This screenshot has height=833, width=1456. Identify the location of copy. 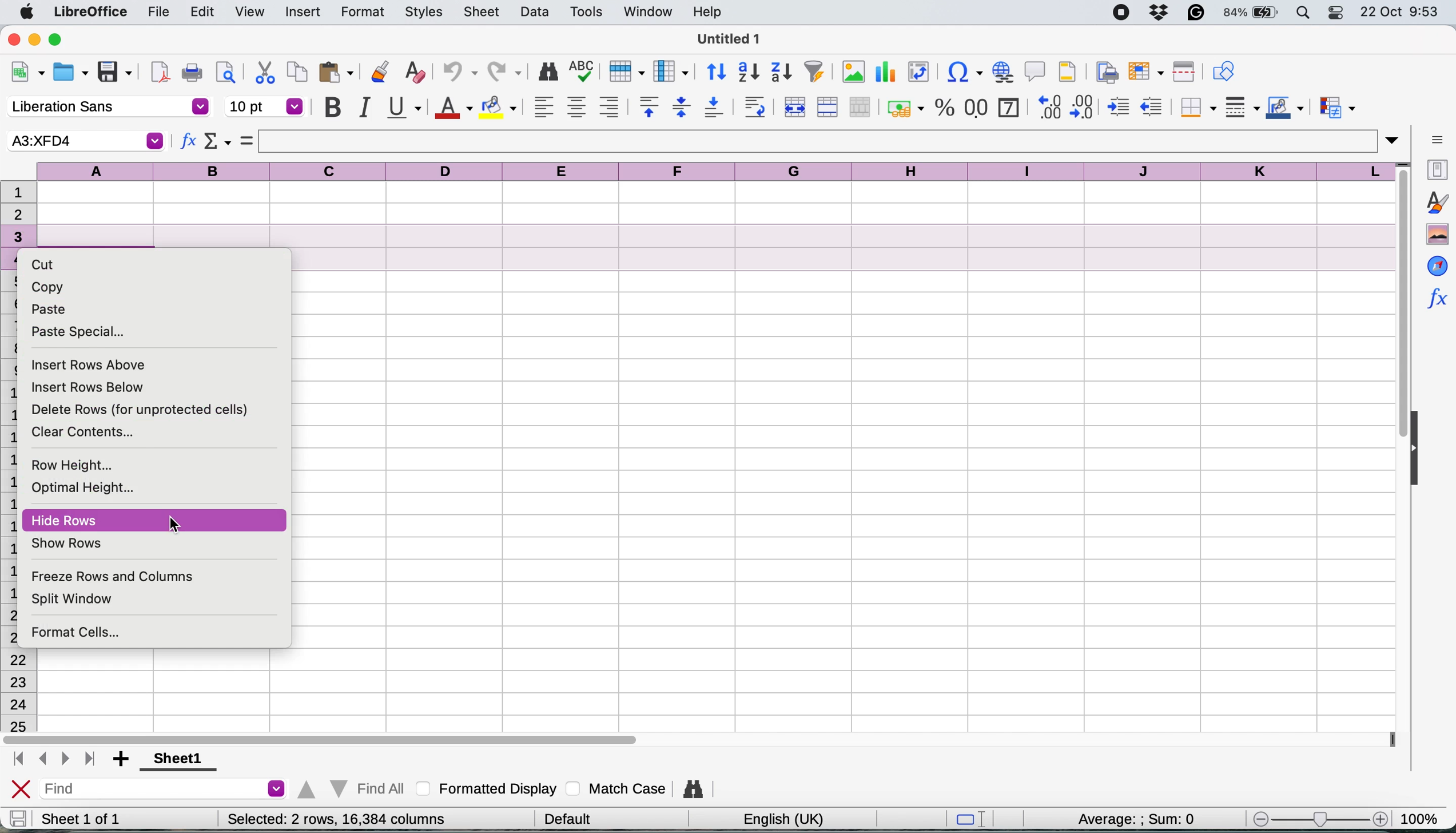
(51, 287).